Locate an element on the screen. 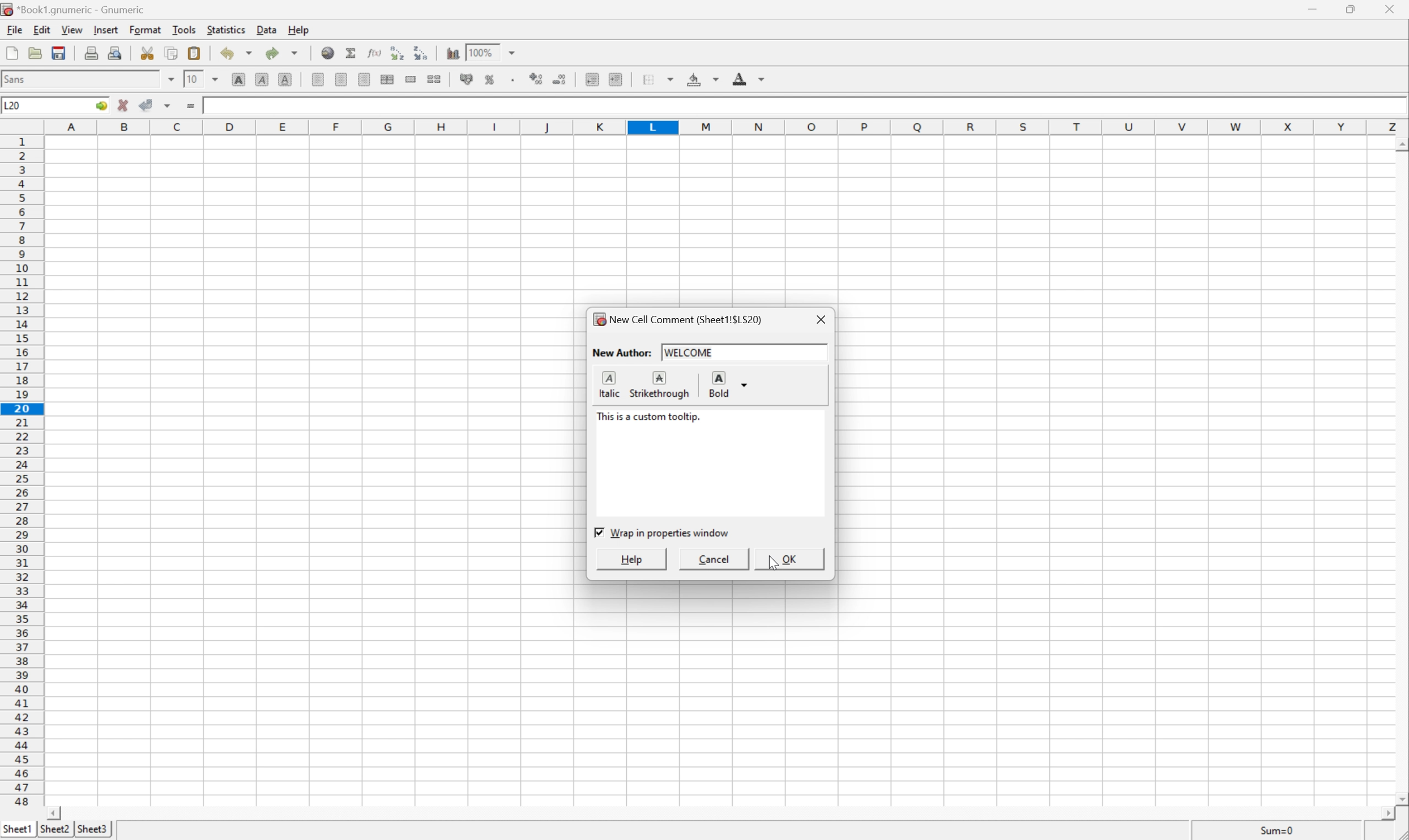 The width and height of the screenshot is (1409, 840). Close is located at coordinates (1389, 9).